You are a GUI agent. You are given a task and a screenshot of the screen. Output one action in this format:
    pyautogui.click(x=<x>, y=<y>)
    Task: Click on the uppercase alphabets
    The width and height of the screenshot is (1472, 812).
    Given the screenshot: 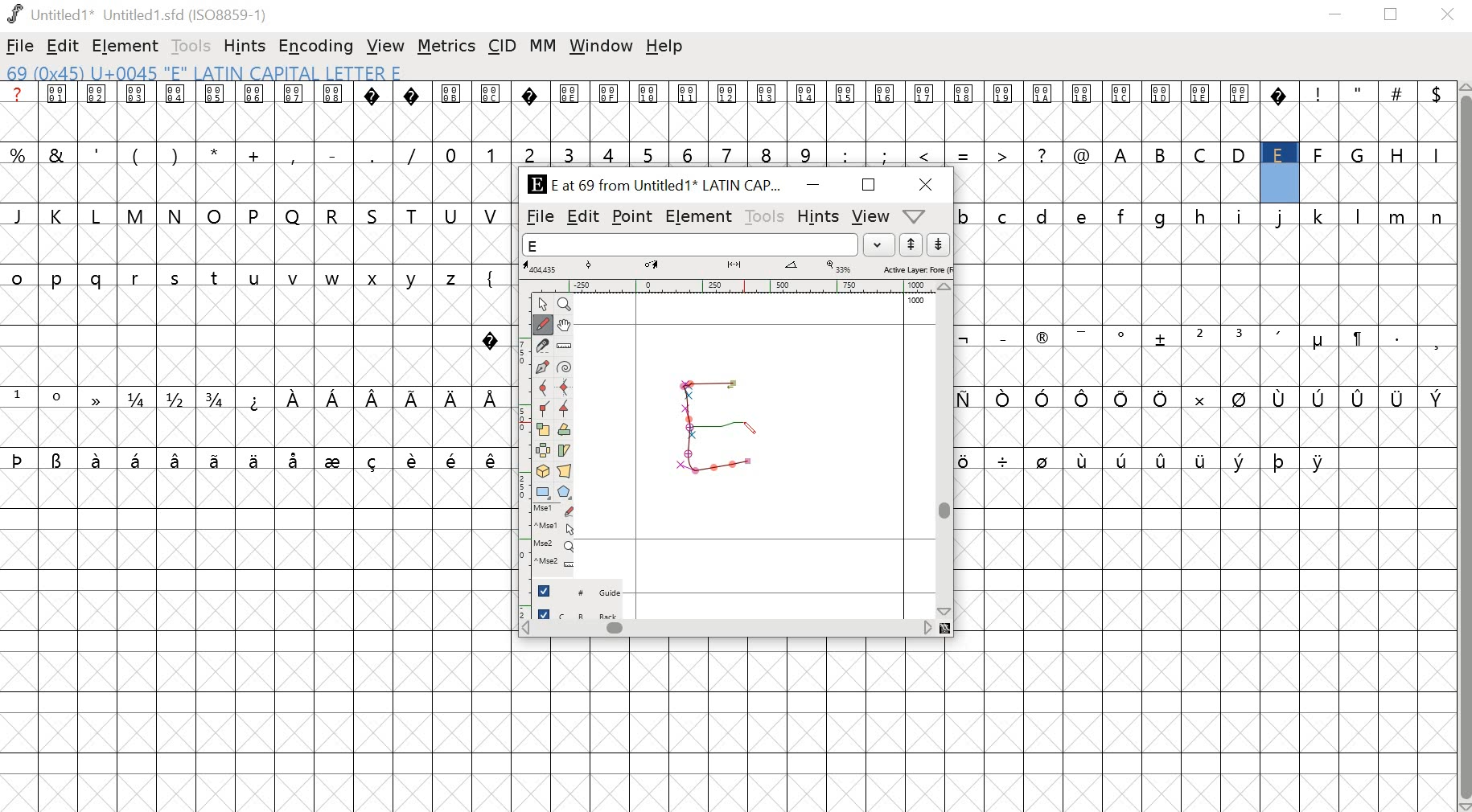 What is the action you would take?
    pyautogui.click(x=258, y=215)
    